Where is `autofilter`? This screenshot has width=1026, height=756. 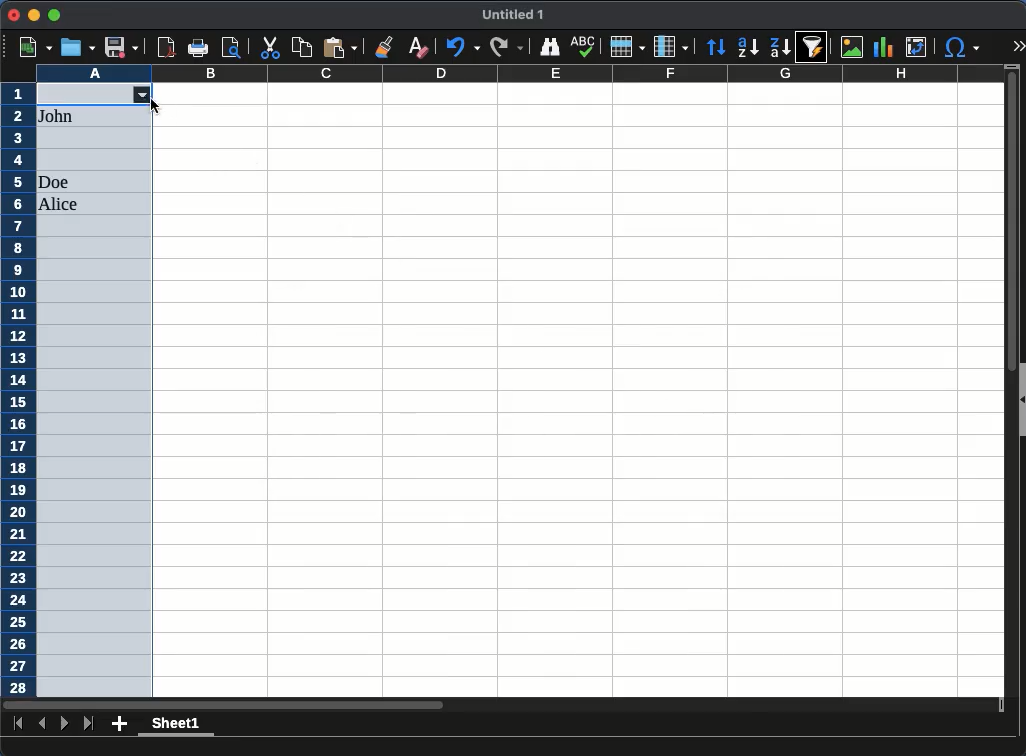 autofilter is located at coordinates (147, 96).